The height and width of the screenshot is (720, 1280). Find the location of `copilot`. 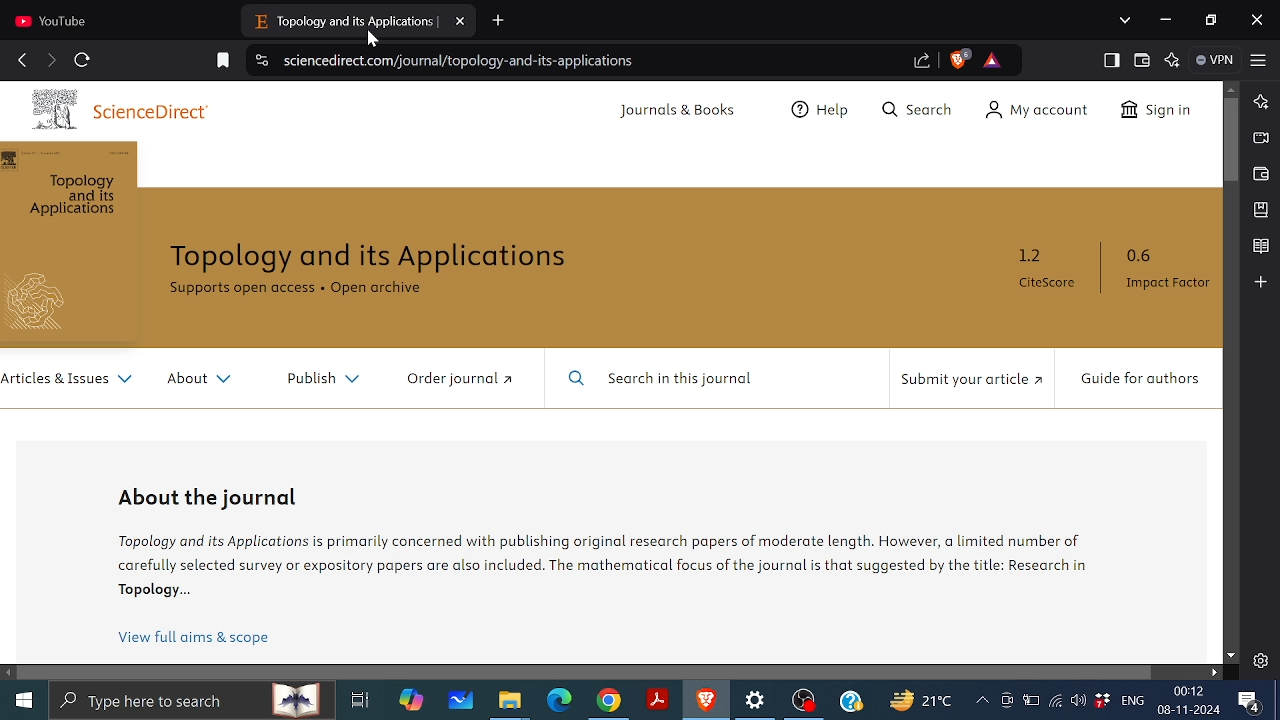

copilot is located at coordinates (412, 700).